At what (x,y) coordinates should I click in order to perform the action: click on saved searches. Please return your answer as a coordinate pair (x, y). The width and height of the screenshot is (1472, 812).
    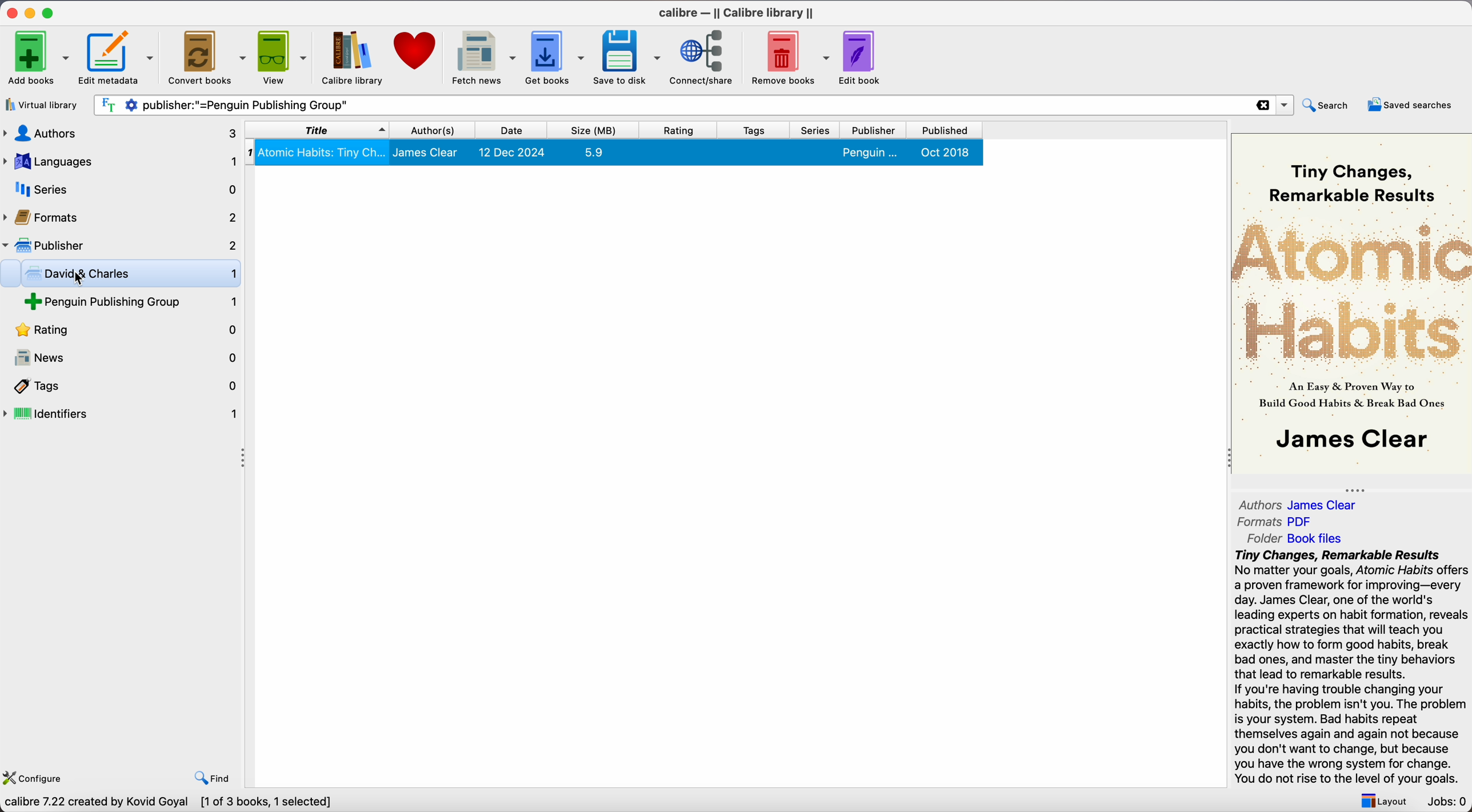
    Looking at the image, I should click on (1409, 104).